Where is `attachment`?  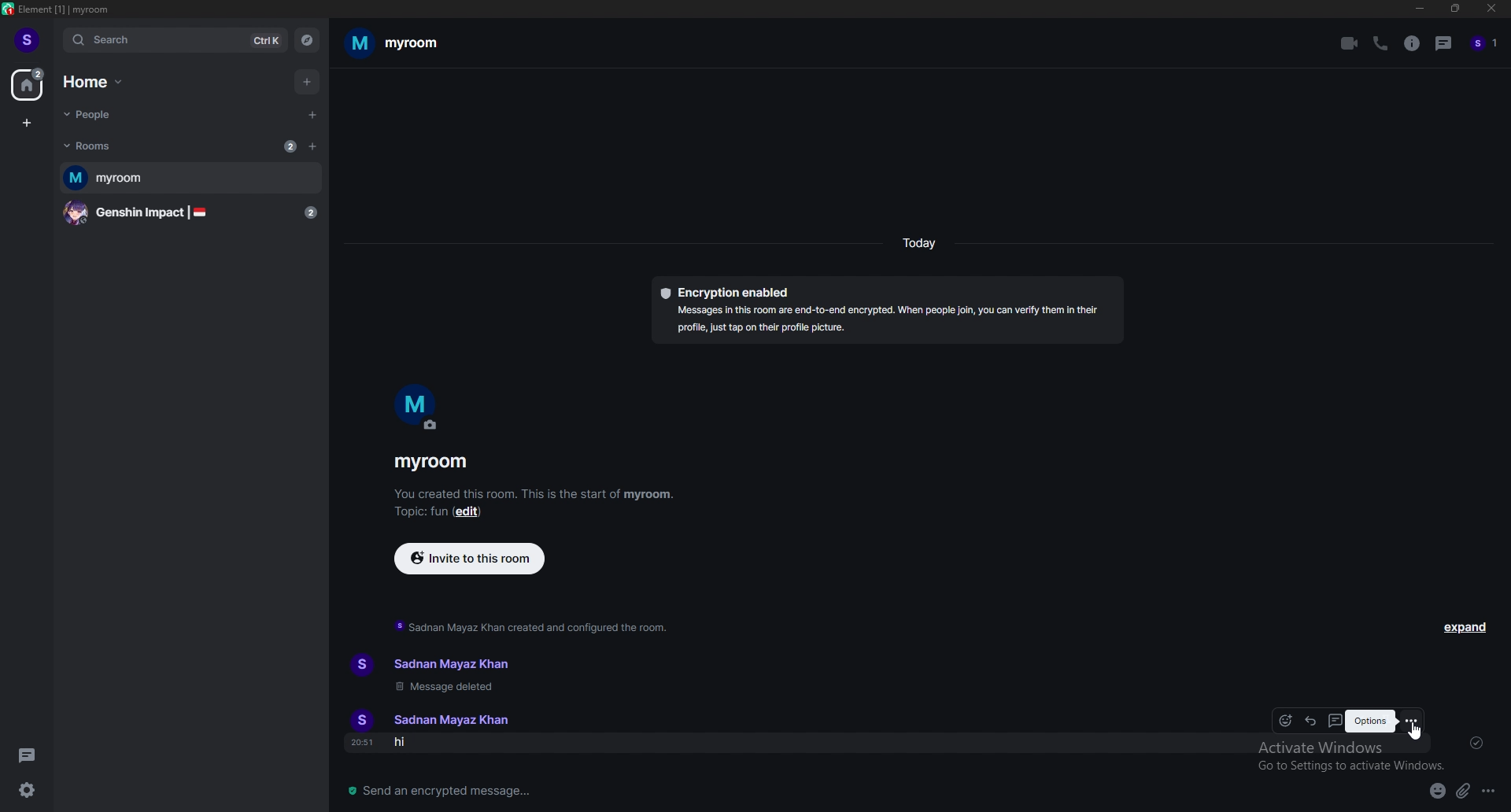 attachment is located at coordinates (1463, 791).